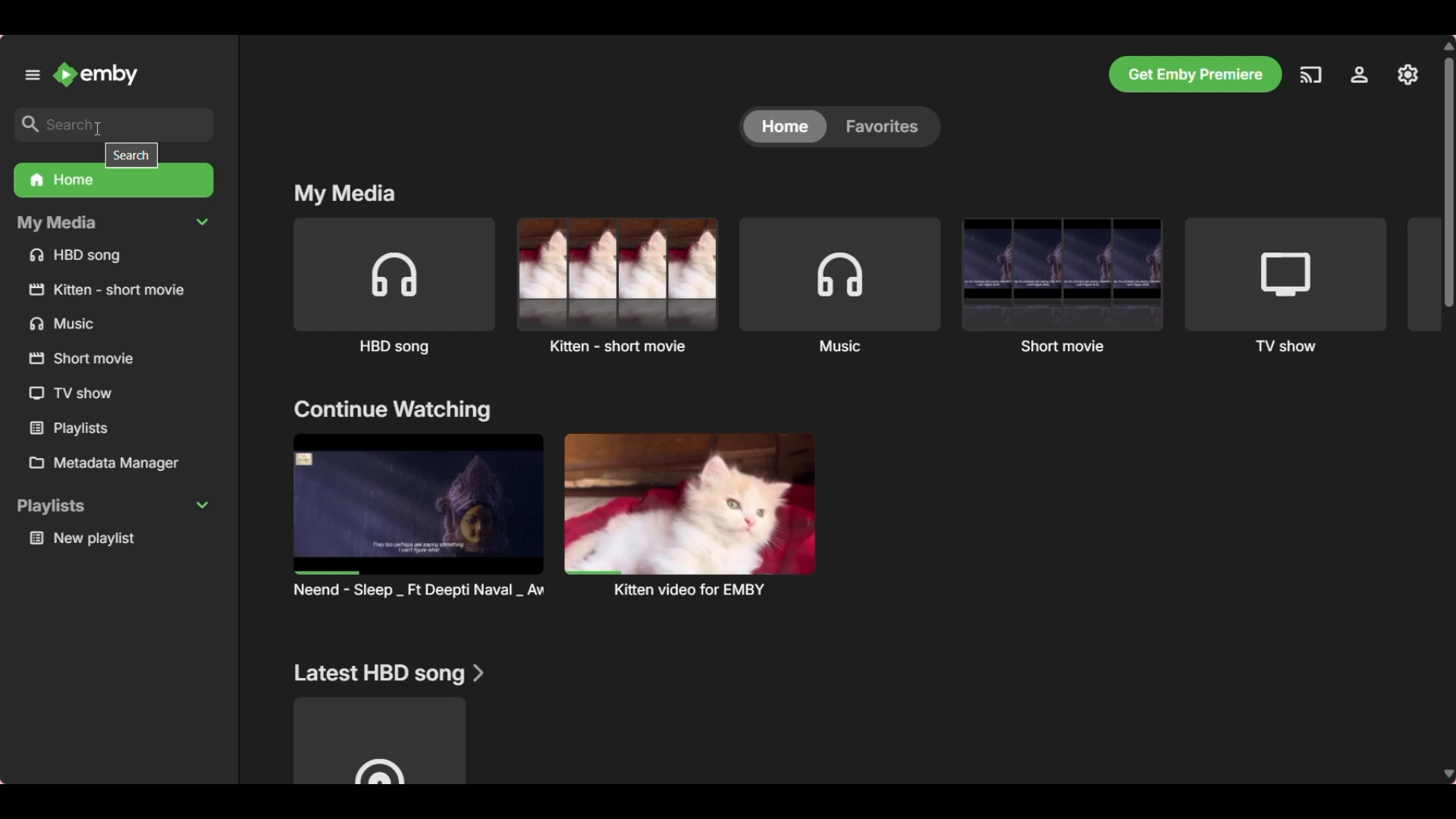 The height and width of the screenshot is (819, 1456). What do you see at coordinates (1448, 775) in the screenshot?
I see `Quick slide to bottom` at bounding box center [1448, 775].